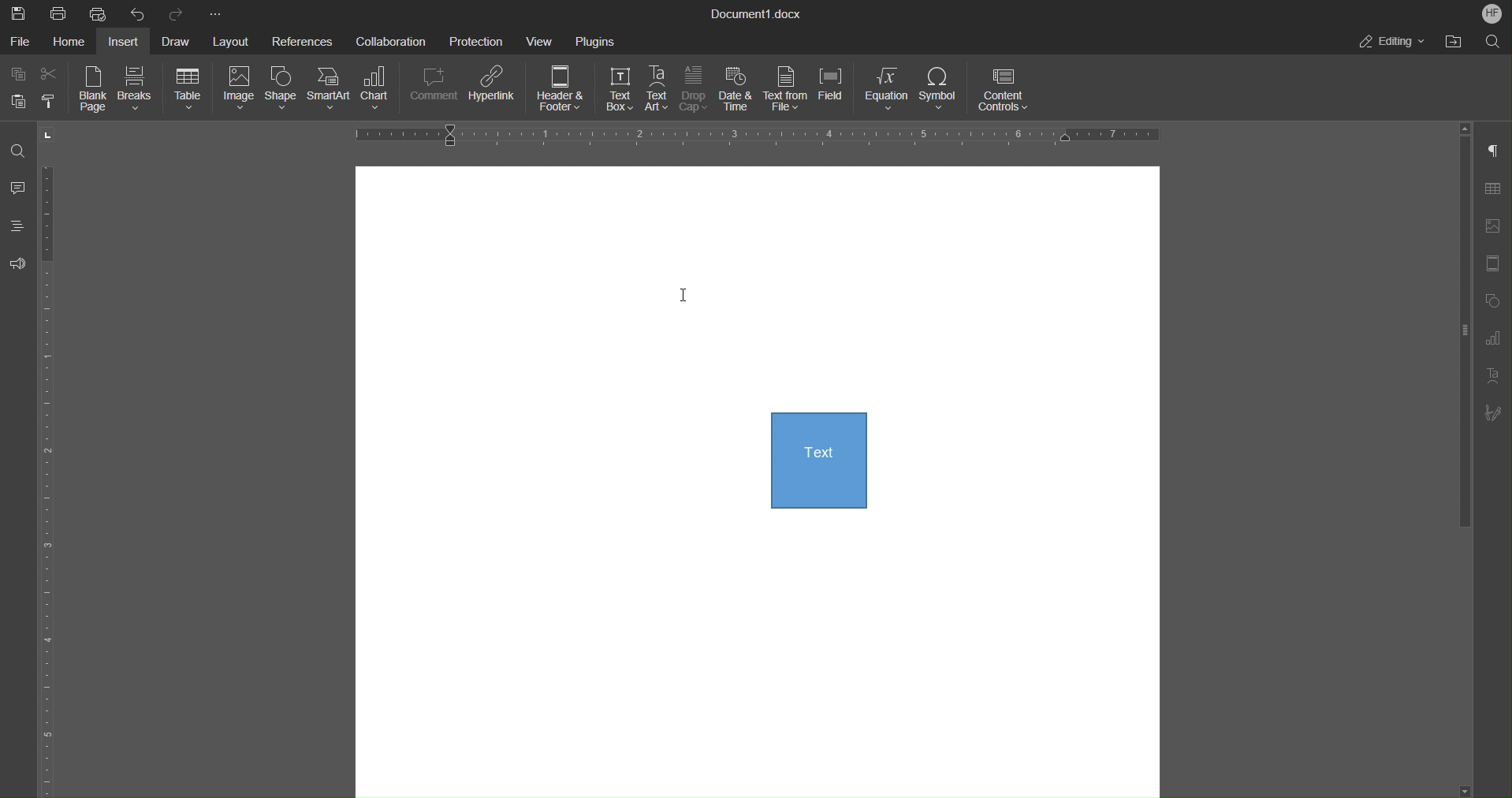 This screenshot has width=1512, height=798. Describe the element at coordinates (233, 39) in the screenshot. I see `Layout` at that location.